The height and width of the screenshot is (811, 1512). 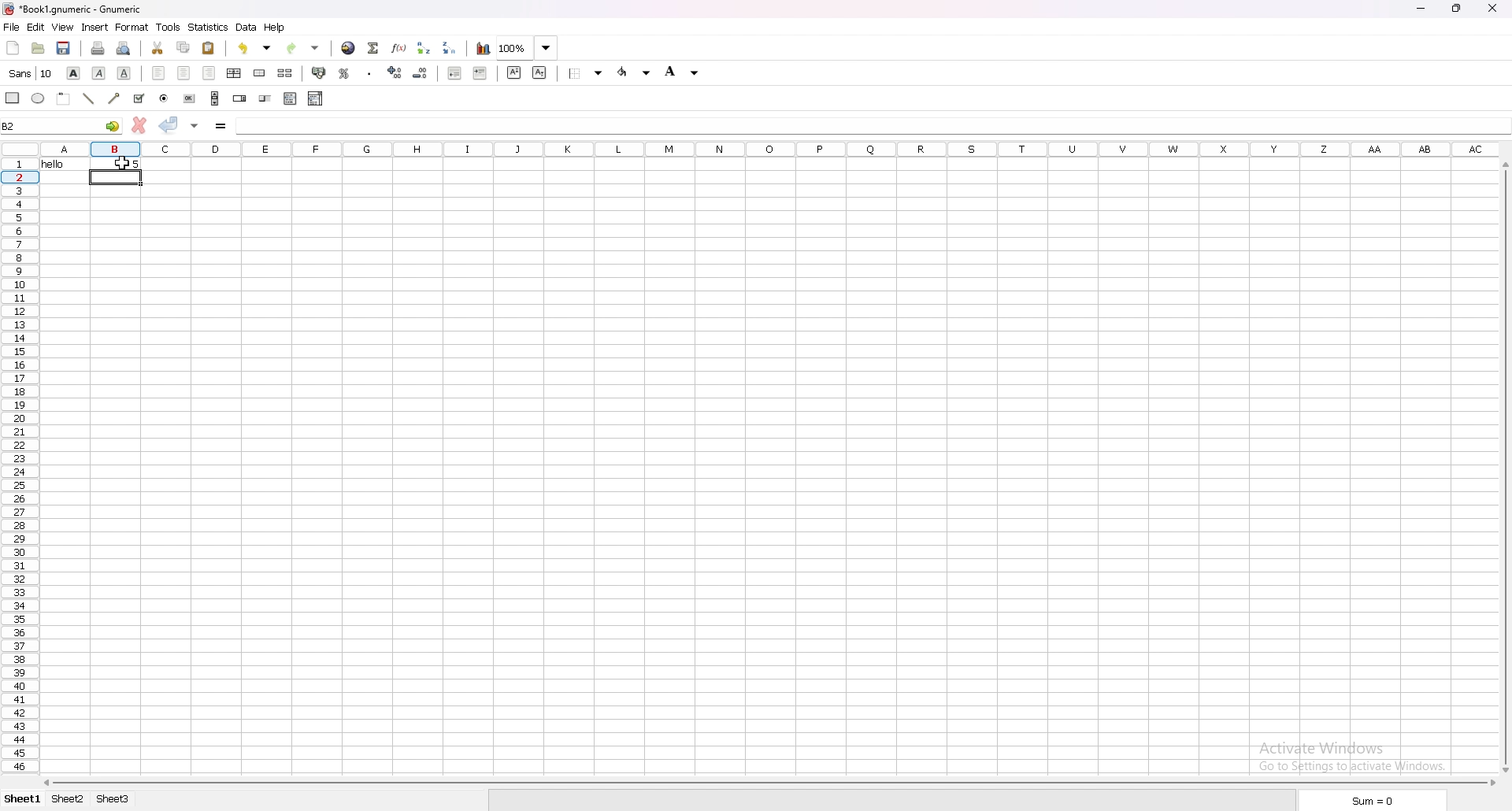 I want to click on open, so click(x=38, y=49).